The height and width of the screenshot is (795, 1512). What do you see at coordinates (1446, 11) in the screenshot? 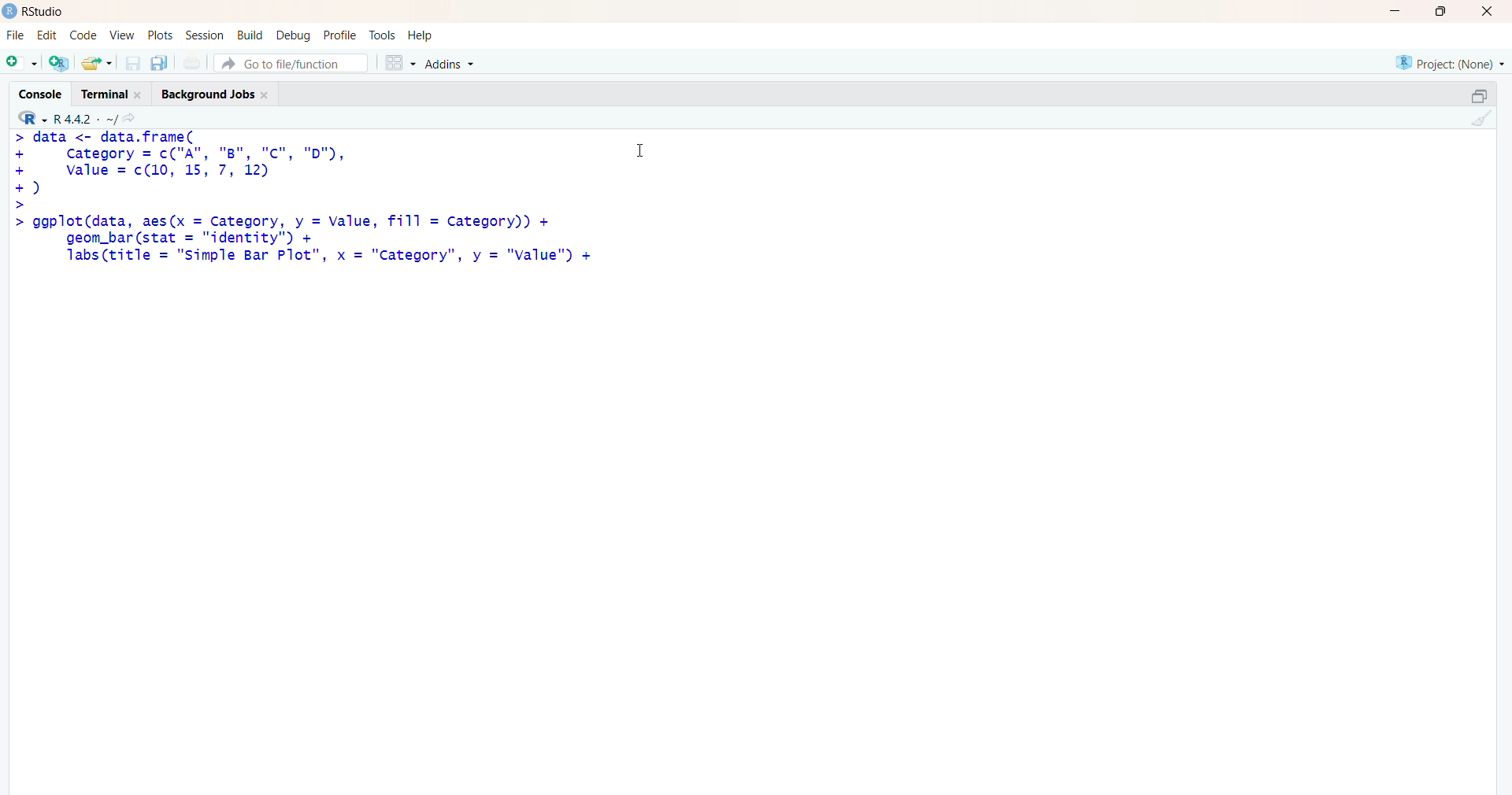
I see `maximize` at bounding box center [1446, 11].